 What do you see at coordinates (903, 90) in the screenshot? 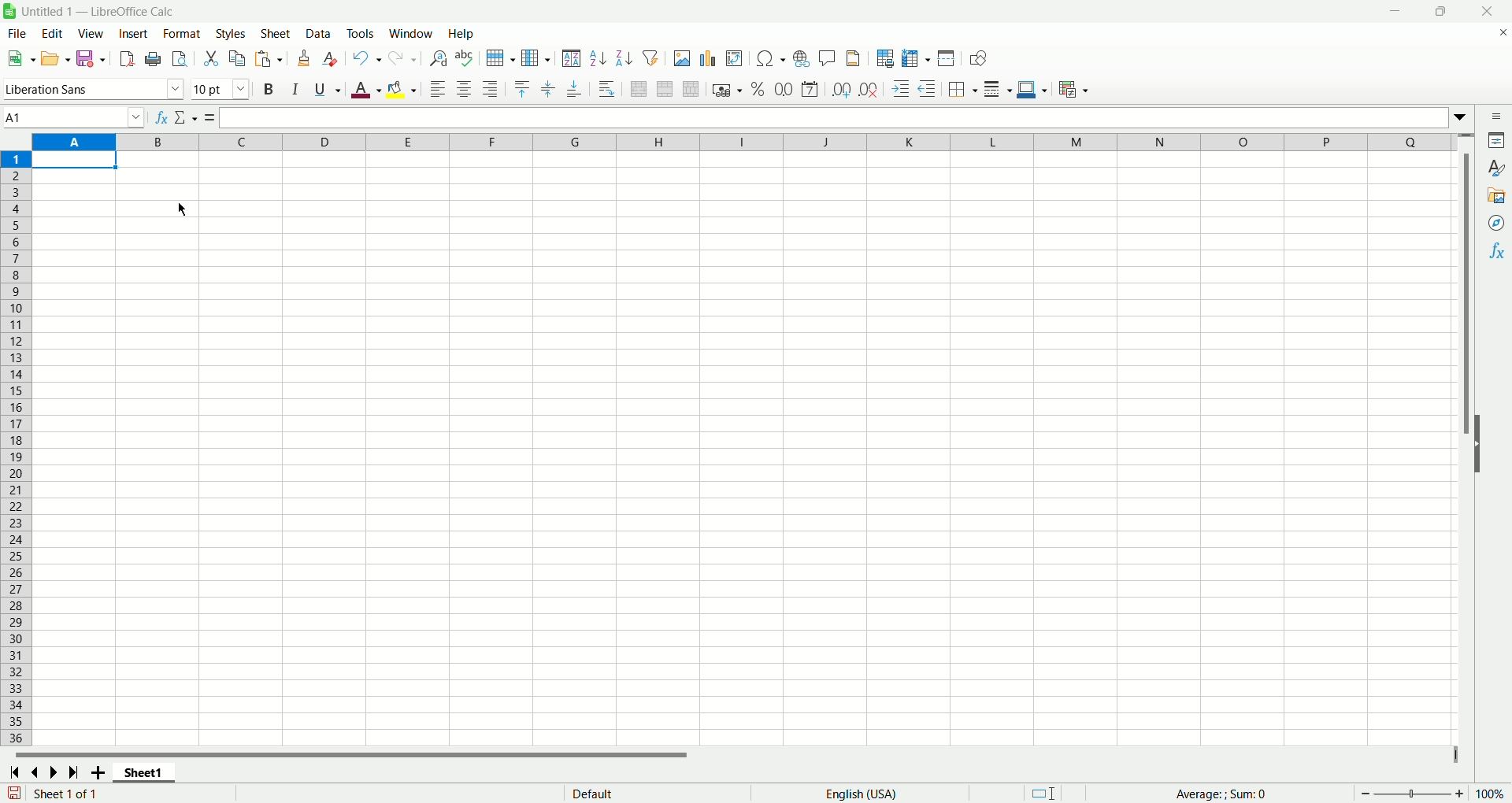
I see `increase indent` at bounding box center [903, 90].